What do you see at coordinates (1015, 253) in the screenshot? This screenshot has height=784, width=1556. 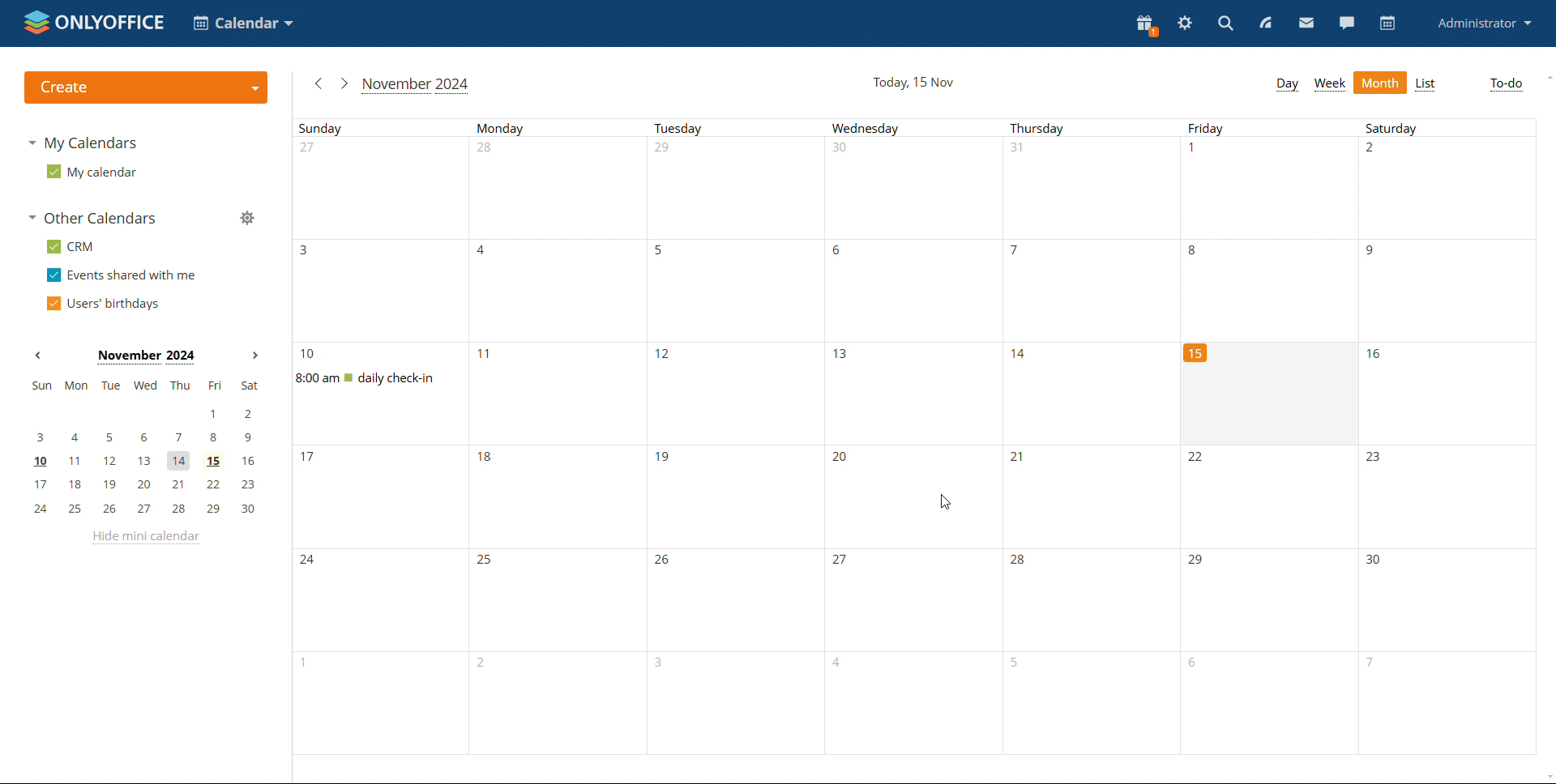 I see `Number` at bounding box center [1015, 253].